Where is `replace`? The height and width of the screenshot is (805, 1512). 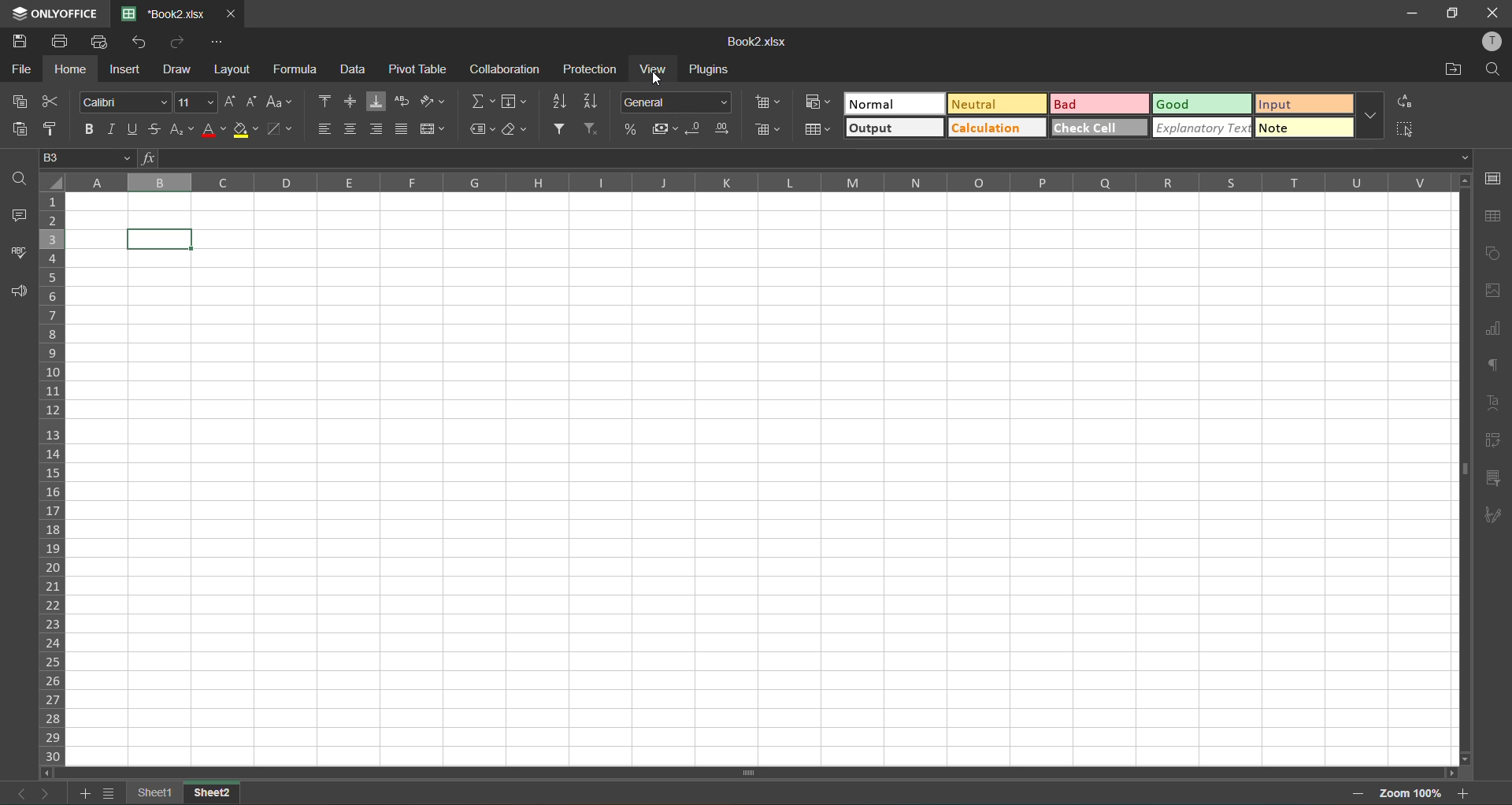
replace is located at coordinates (1402, 101).